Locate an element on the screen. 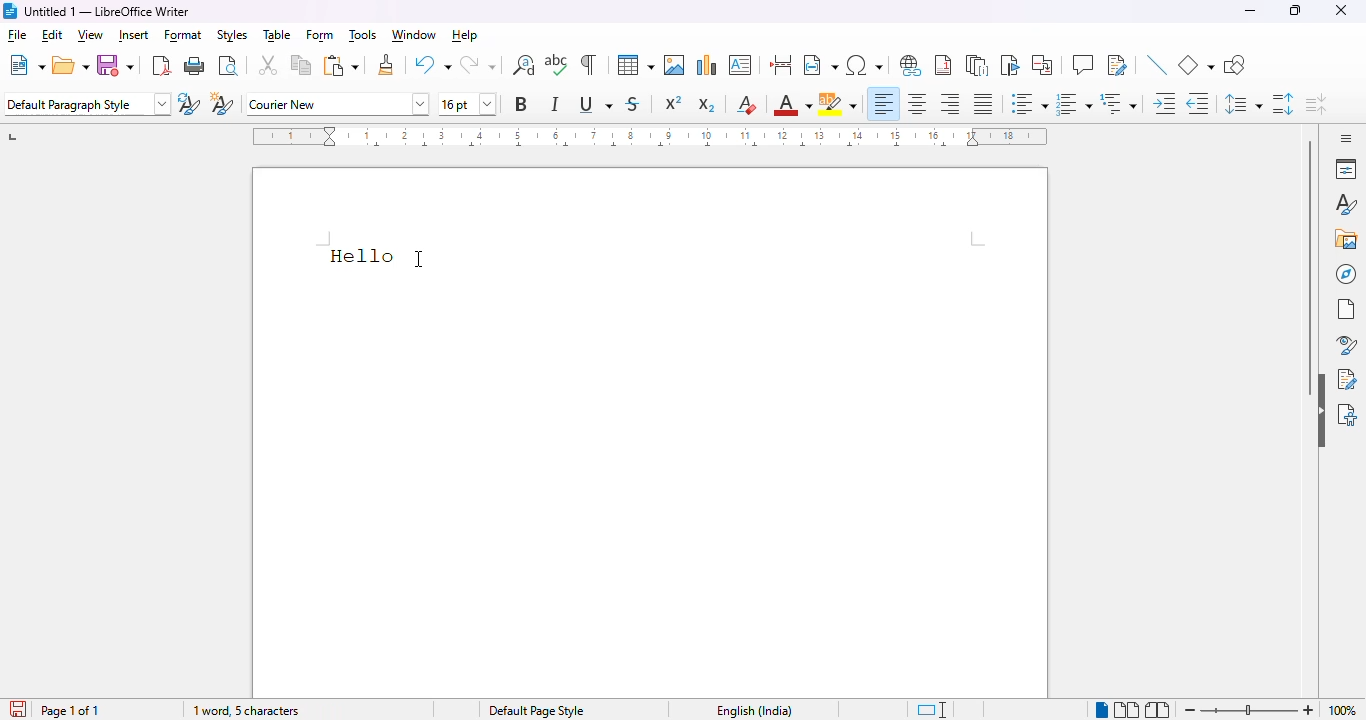 The height and width of the screenshot is (720, 1366). standard language is located at coordinates (934, 710).